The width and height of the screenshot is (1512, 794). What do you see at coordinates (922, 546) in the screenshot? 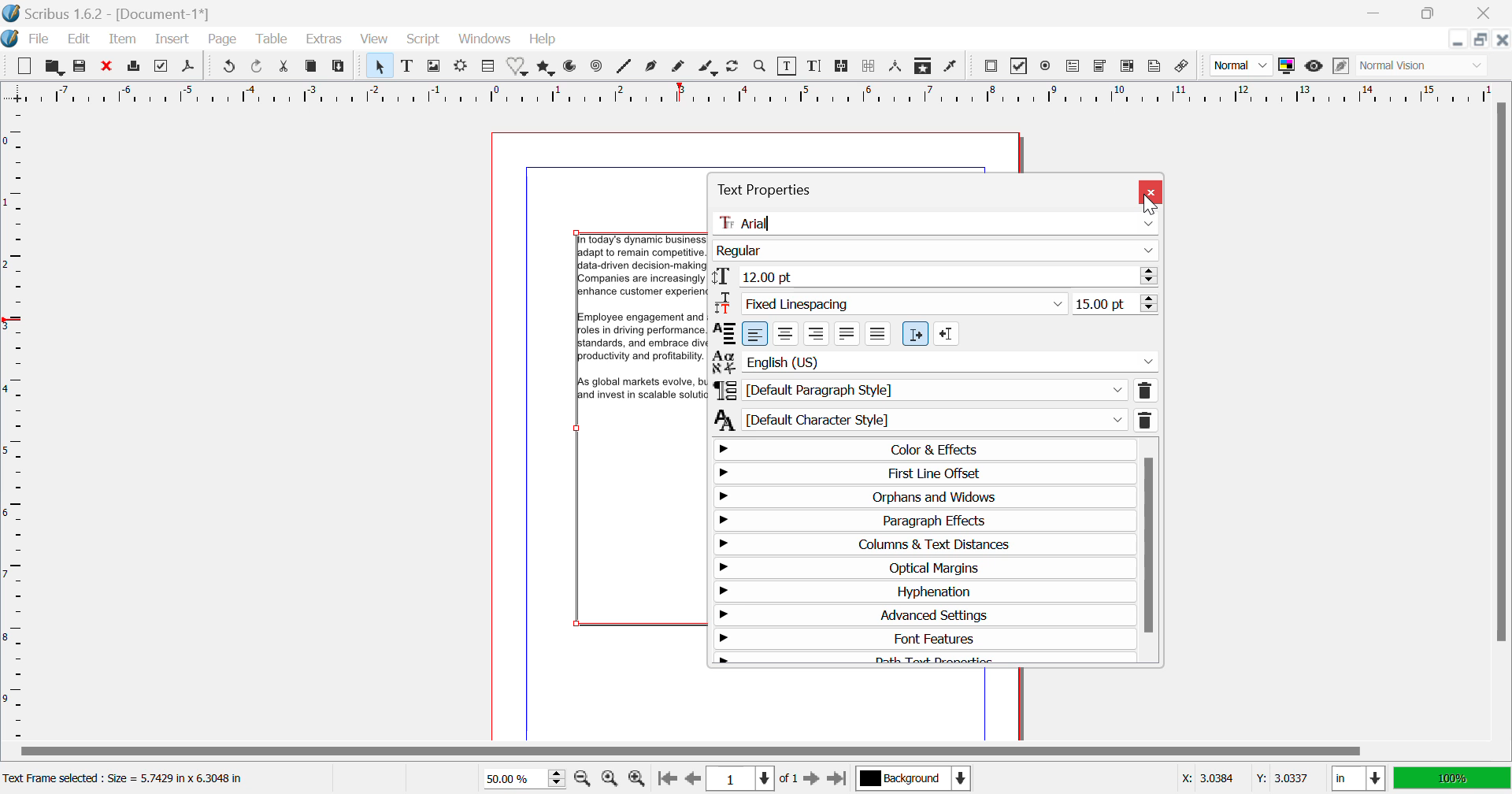
I see `Columns & Text Distances` at bounding box center [922, 546].